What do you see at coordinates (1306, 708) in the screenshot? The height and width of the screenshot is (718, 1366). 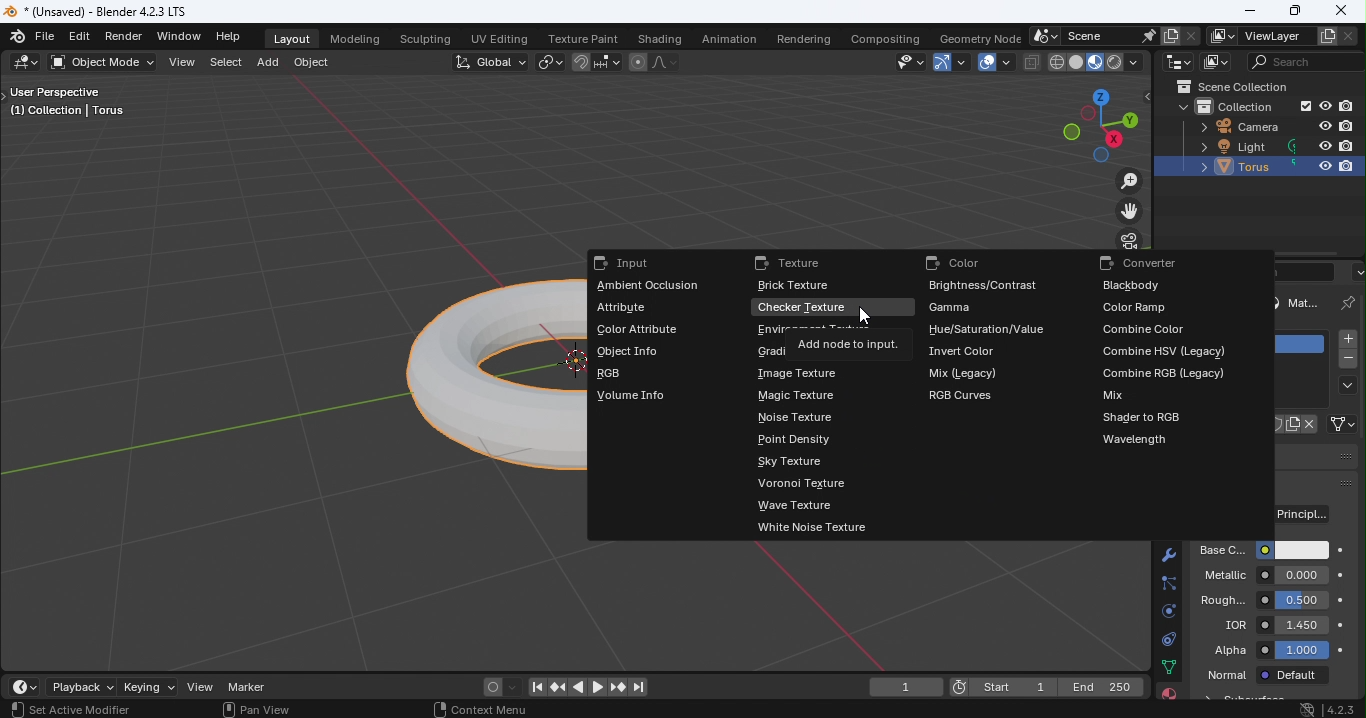 I see `System update` at bounding box center [1306, 708].